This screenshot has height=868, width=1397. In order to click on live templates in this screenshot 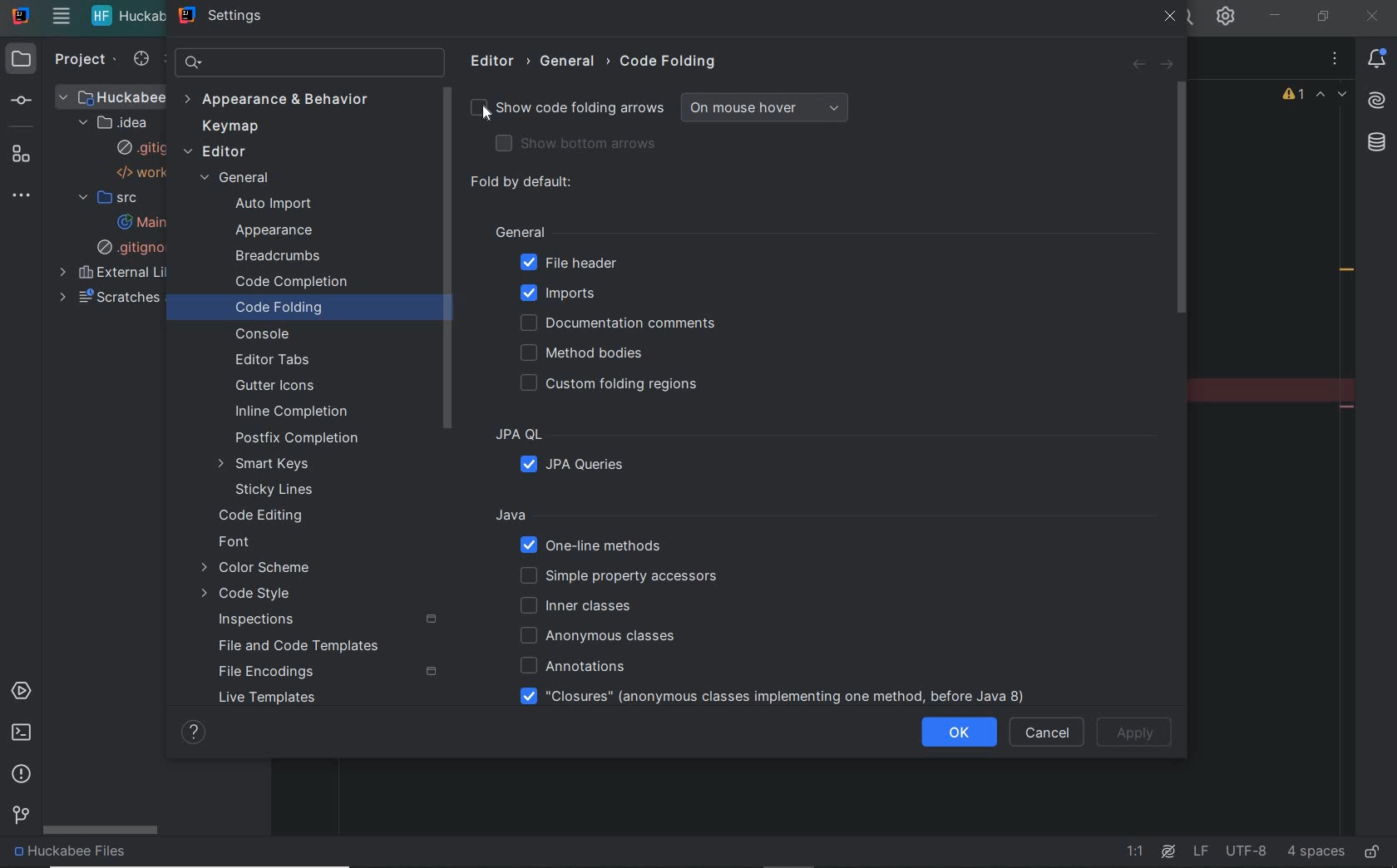, I will do `click(269, 699)`.